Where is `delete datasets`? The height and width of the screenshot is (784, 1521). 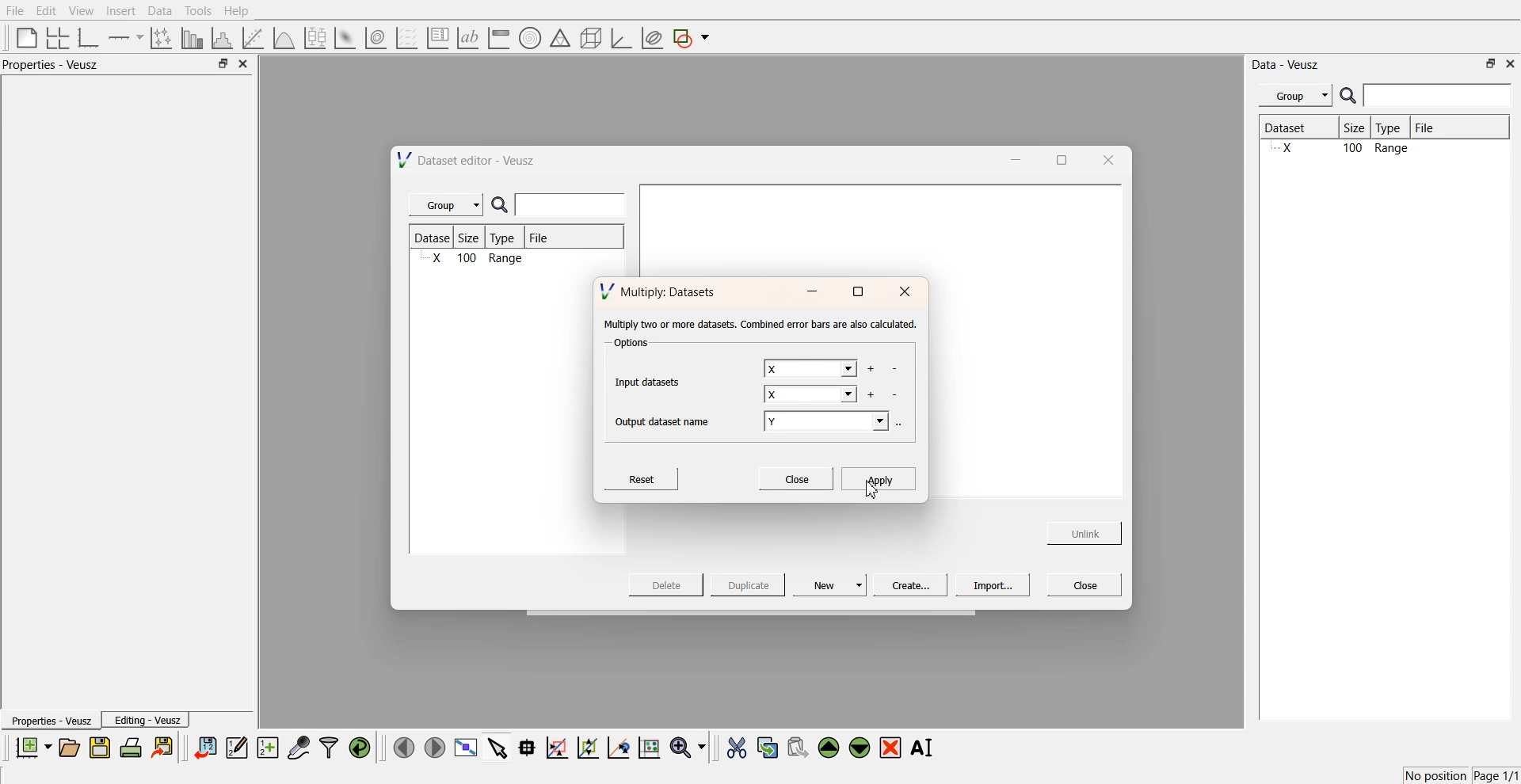
delete datasets is located at coordinates (896, 395).